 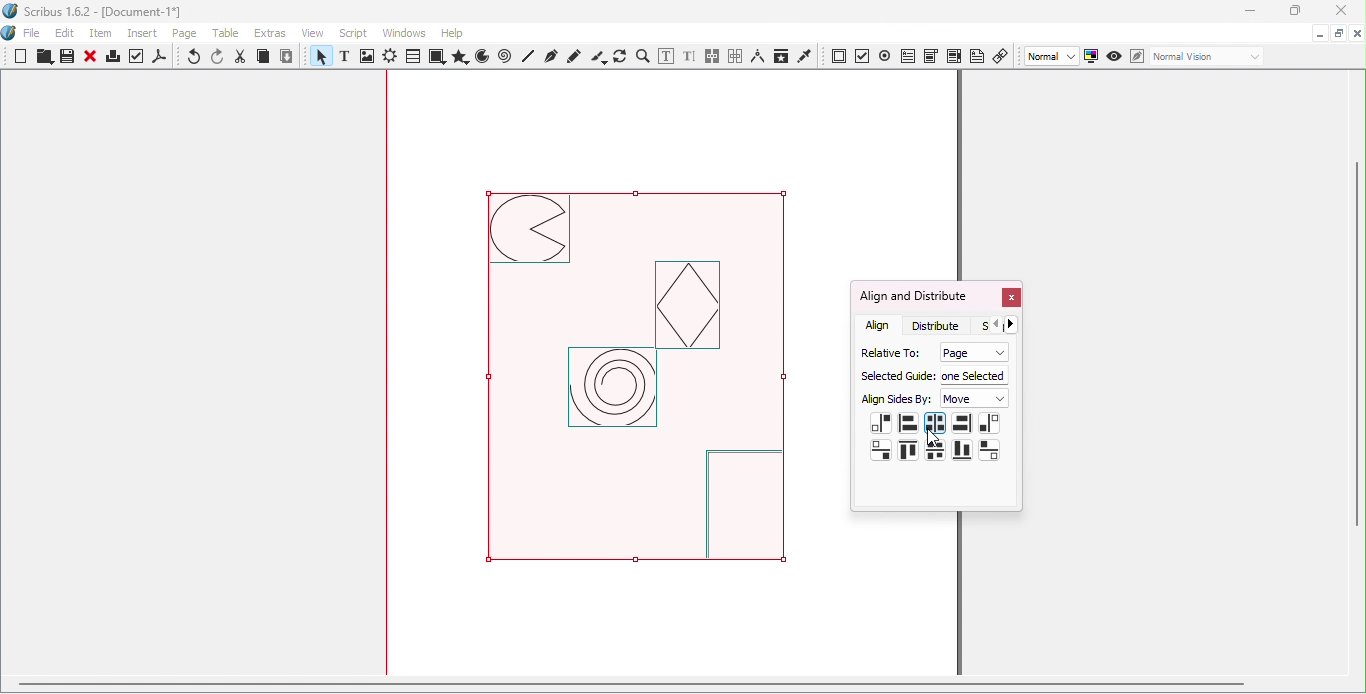 I want to click on Open, so click(x=42, y=58).